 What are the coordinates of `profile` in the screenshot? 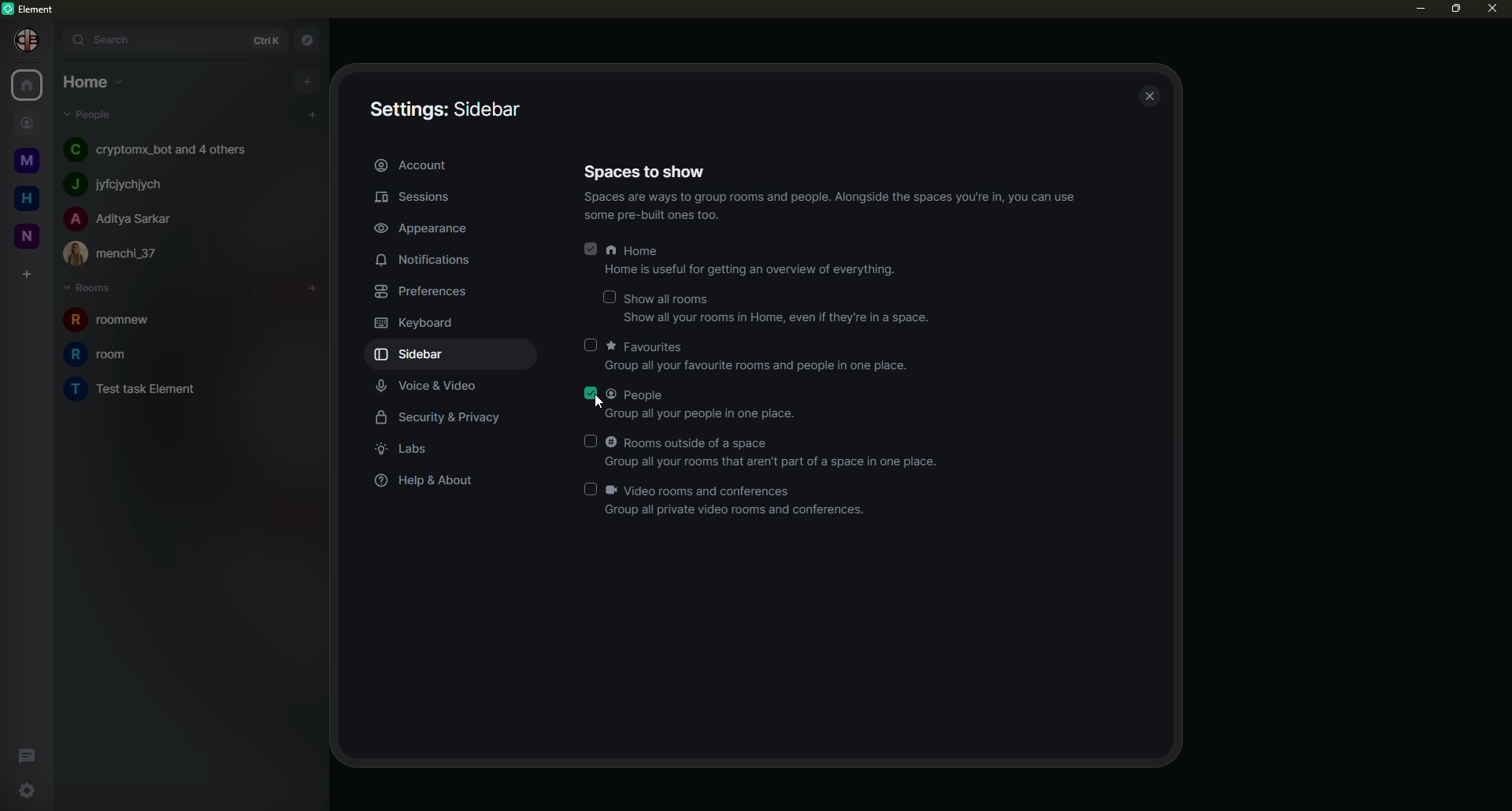 It's located at (22, 39).